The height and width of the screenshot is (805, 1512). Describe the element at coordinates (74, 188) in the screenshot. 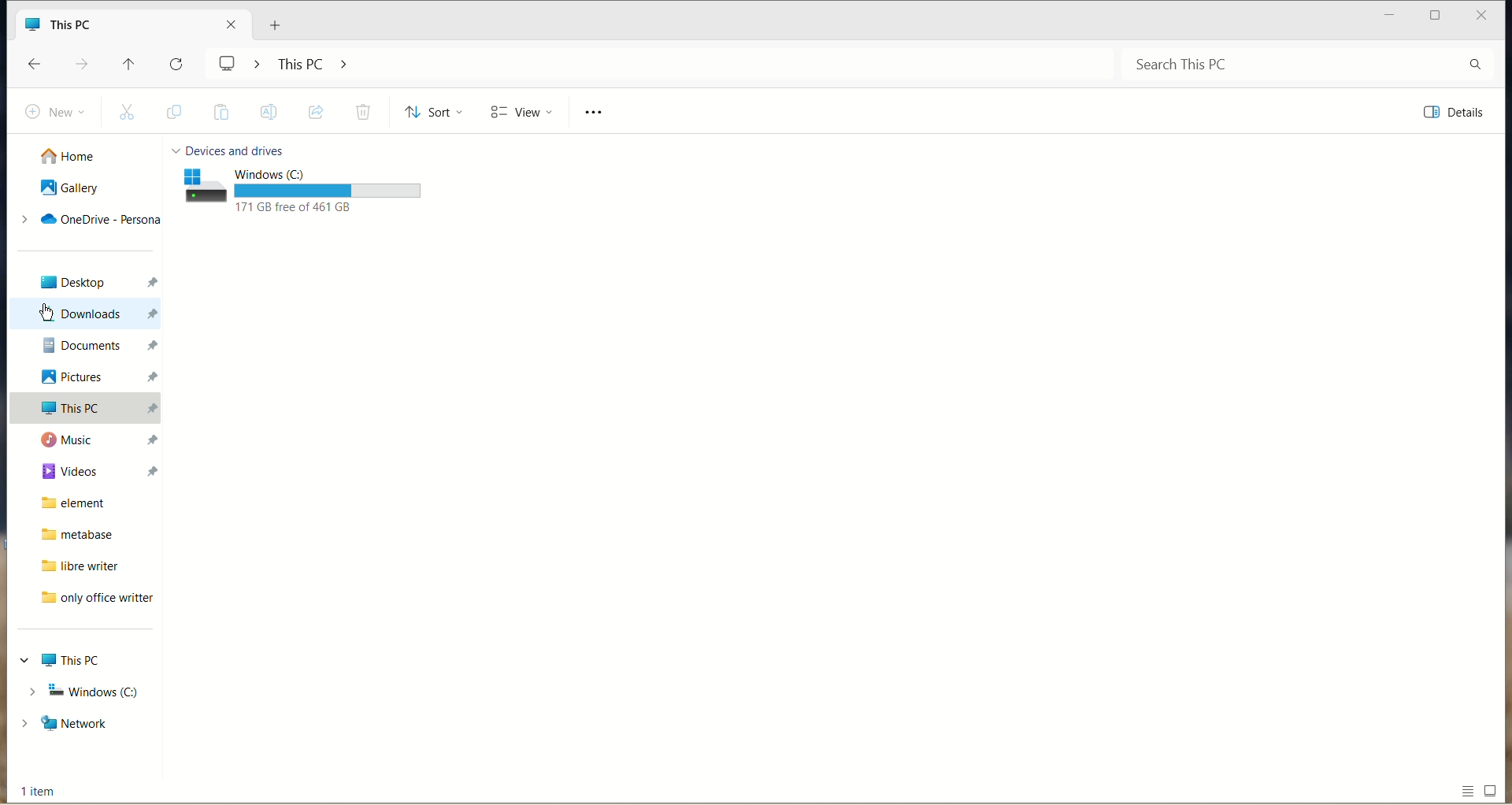

I see `gallery` at that location.